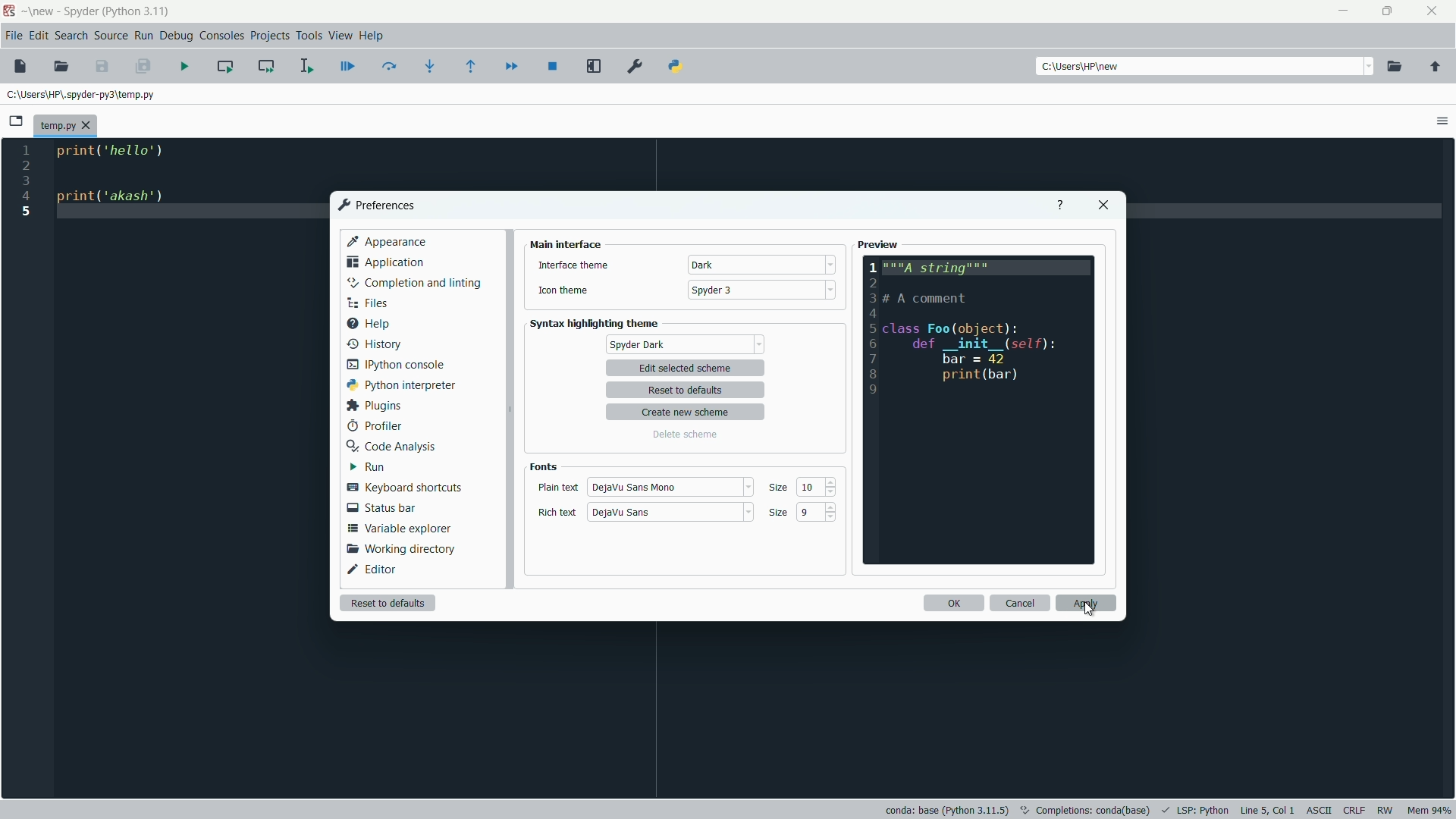  What do you see at coordinates (145, 35) in the screenshot?
I see `run menu` at bounding box center [145, 35].